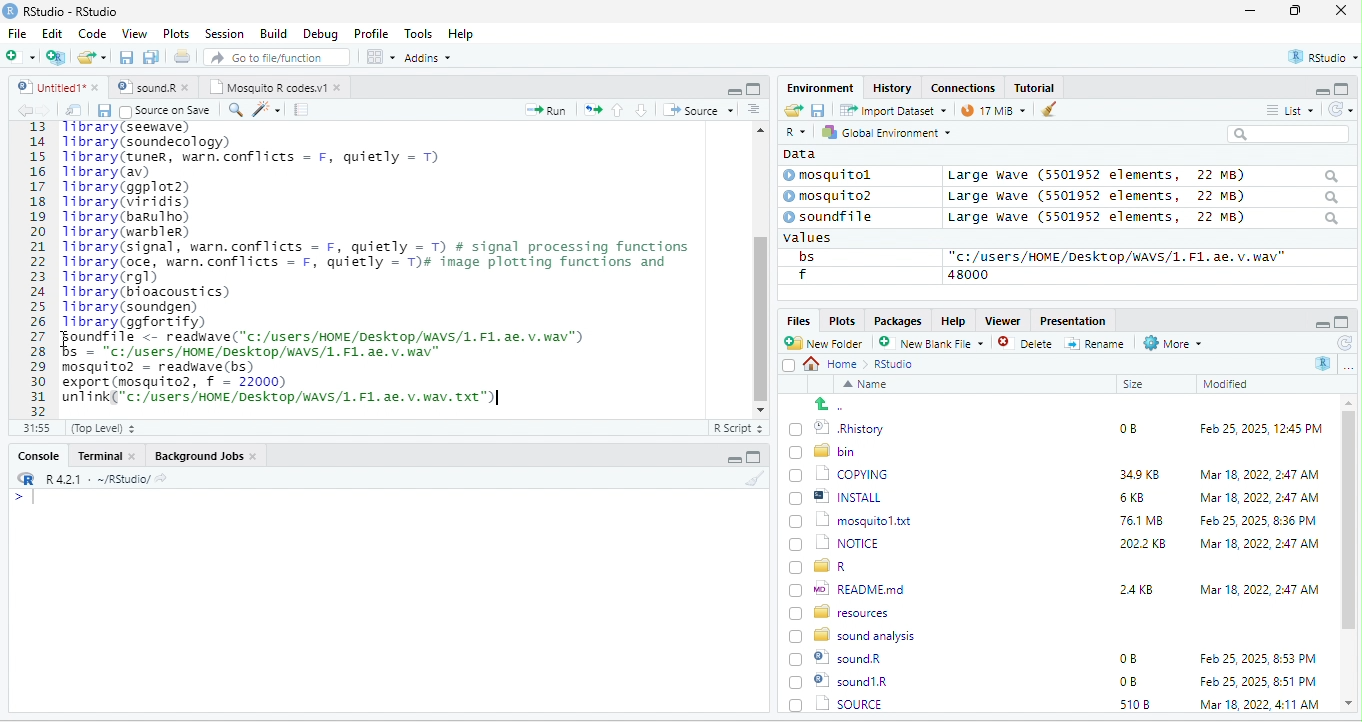  What do you see at coordinates (267, 109) in the screenshot?
I see `sharpen` at bounding box center [267, 109].